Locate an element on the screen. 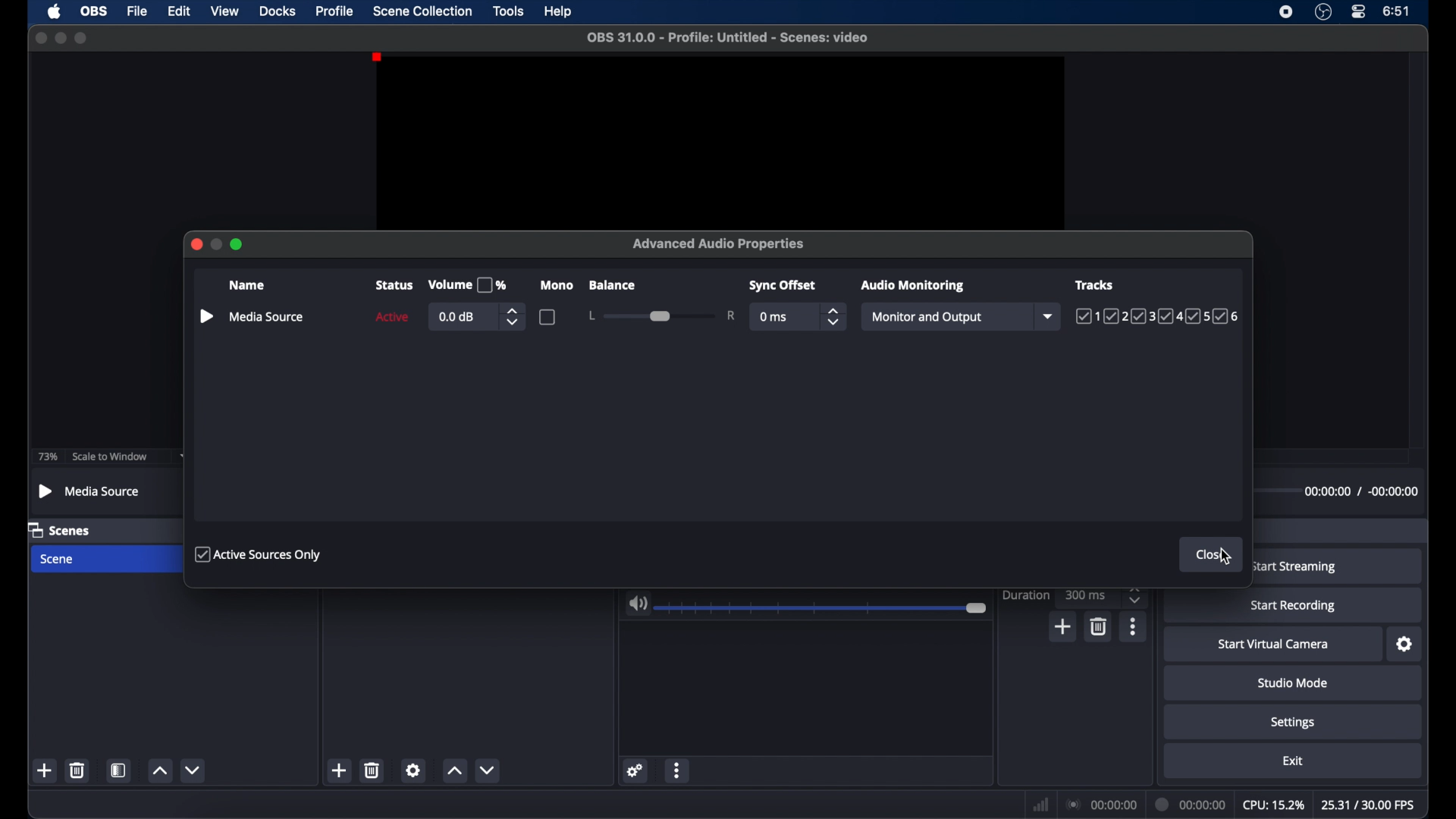  duration is located at coordinates (1027, 596).